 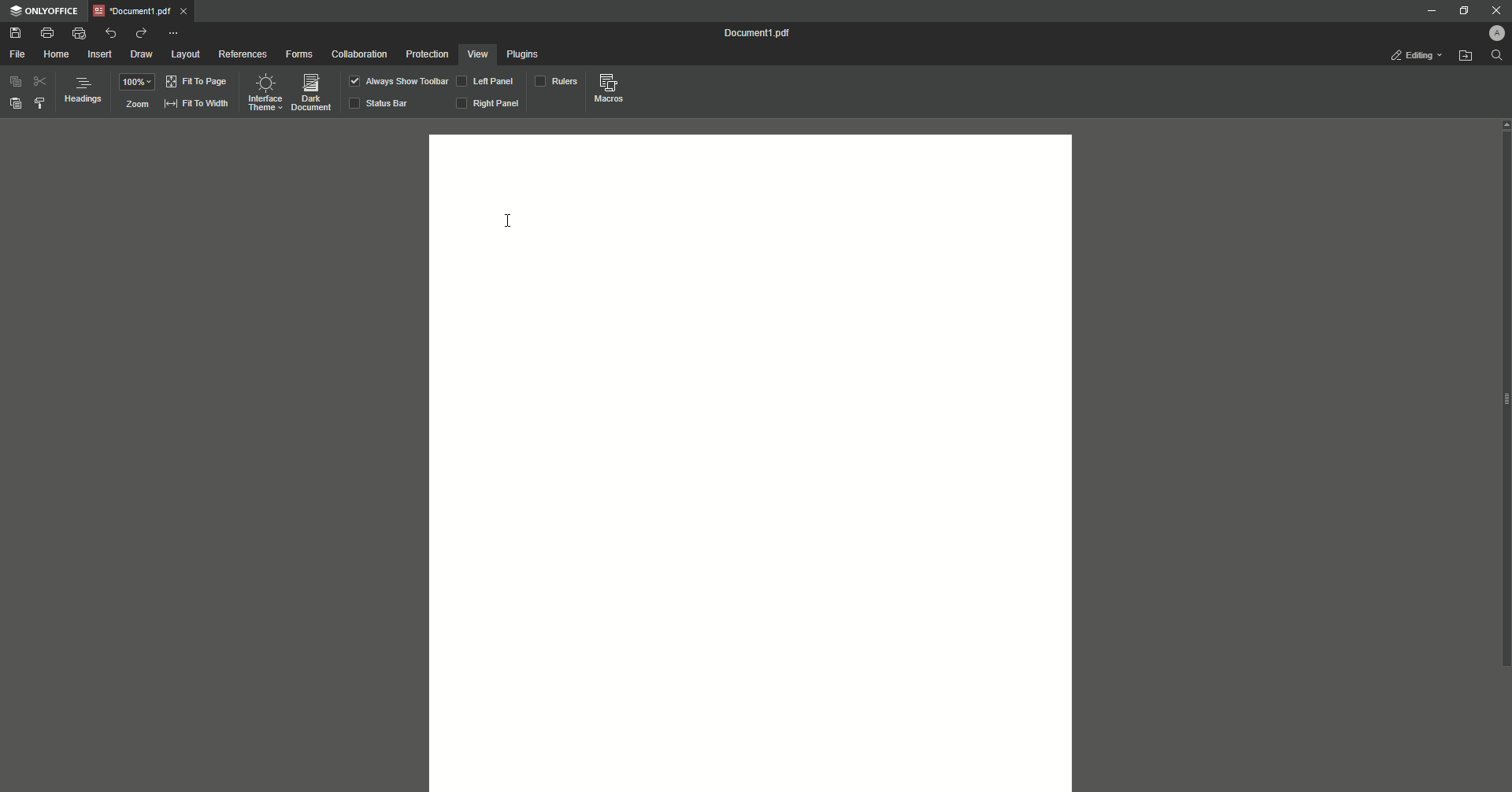 What do you see at coordinates (487, 81) in the screenshot?
I see `Left Panel` at bounding box center [487, 81].